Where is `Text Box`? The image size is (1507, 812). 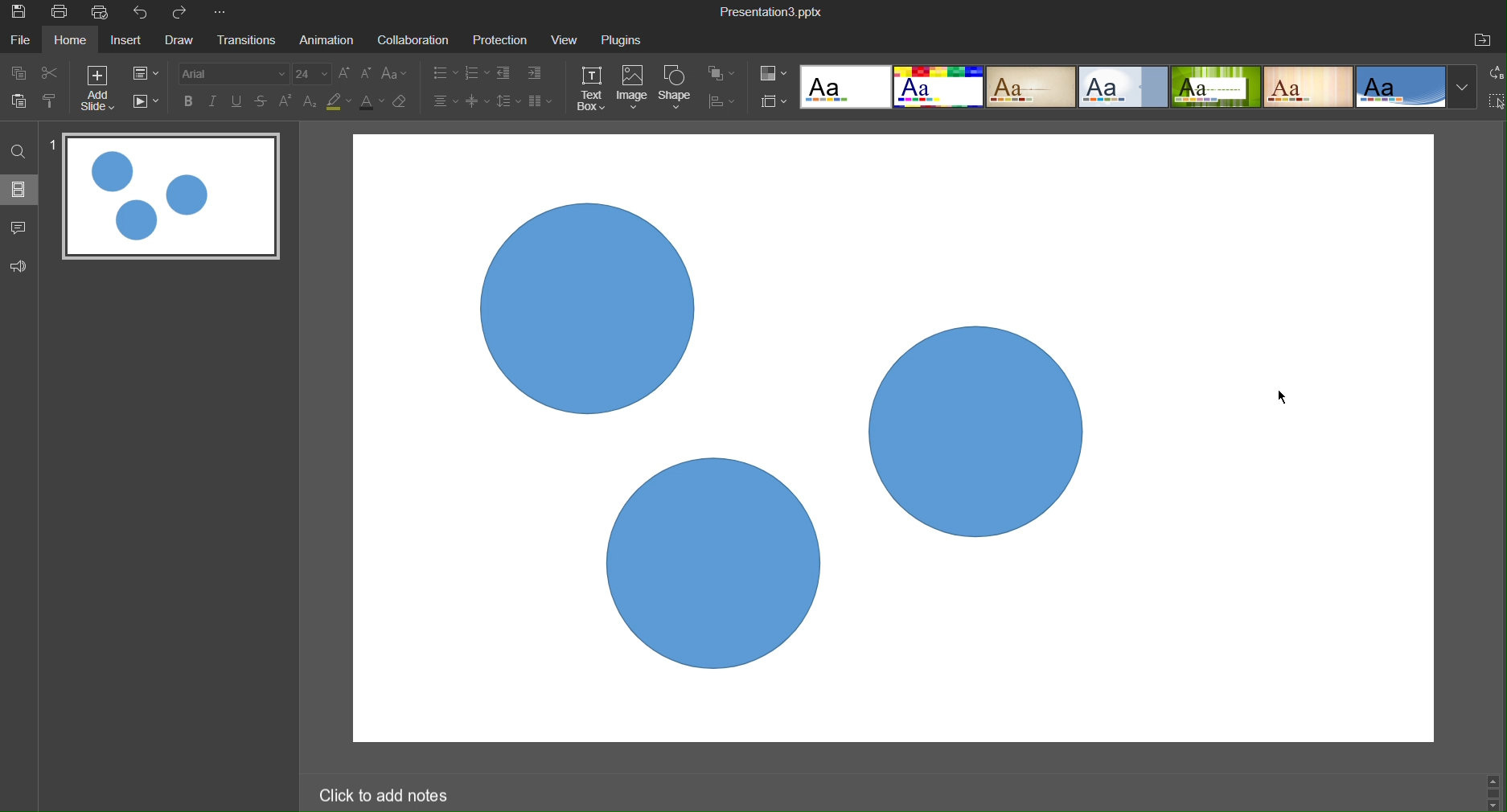 Text Box is located at coordinates (593, 89).